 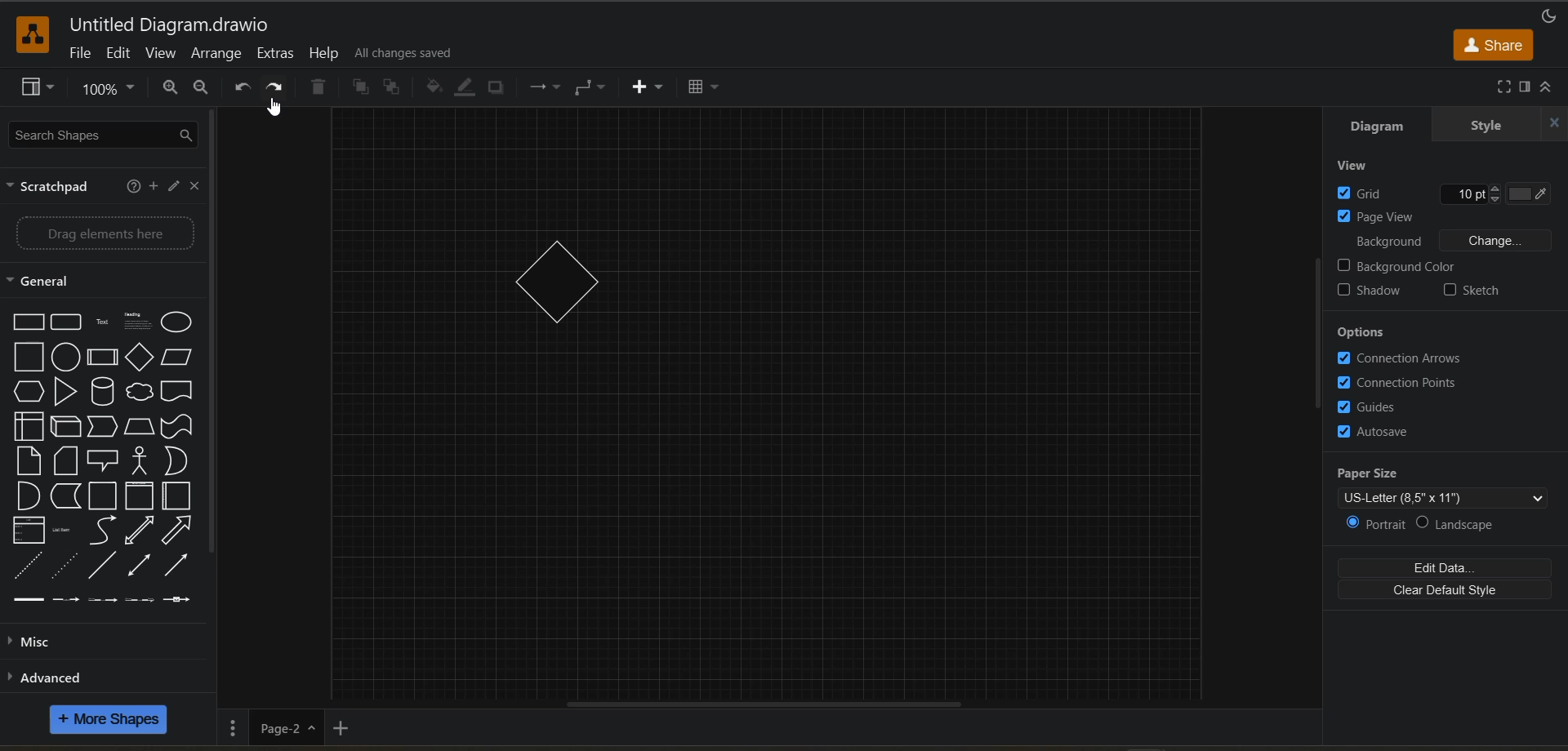 I want to click on or, so click(x=175, y=460).